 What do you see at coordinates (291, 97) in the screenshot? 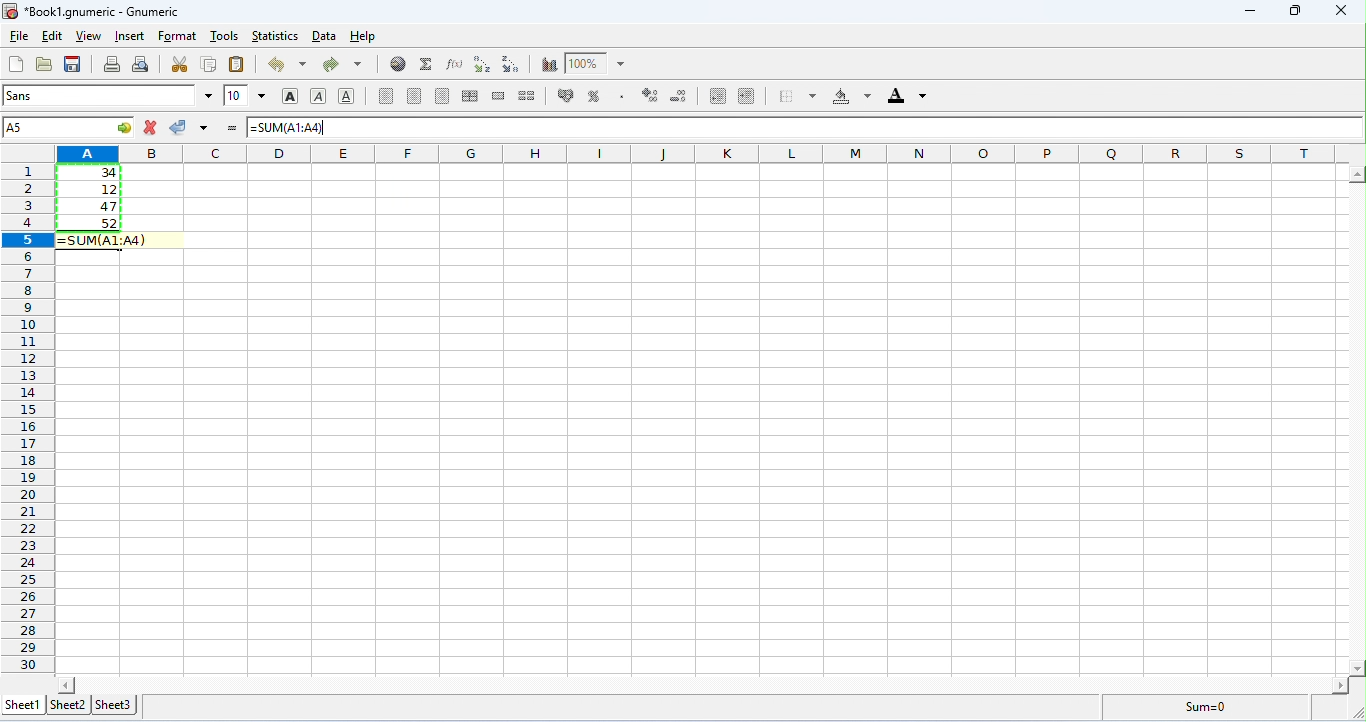
I see `bold` at bounding box center [291, 97].